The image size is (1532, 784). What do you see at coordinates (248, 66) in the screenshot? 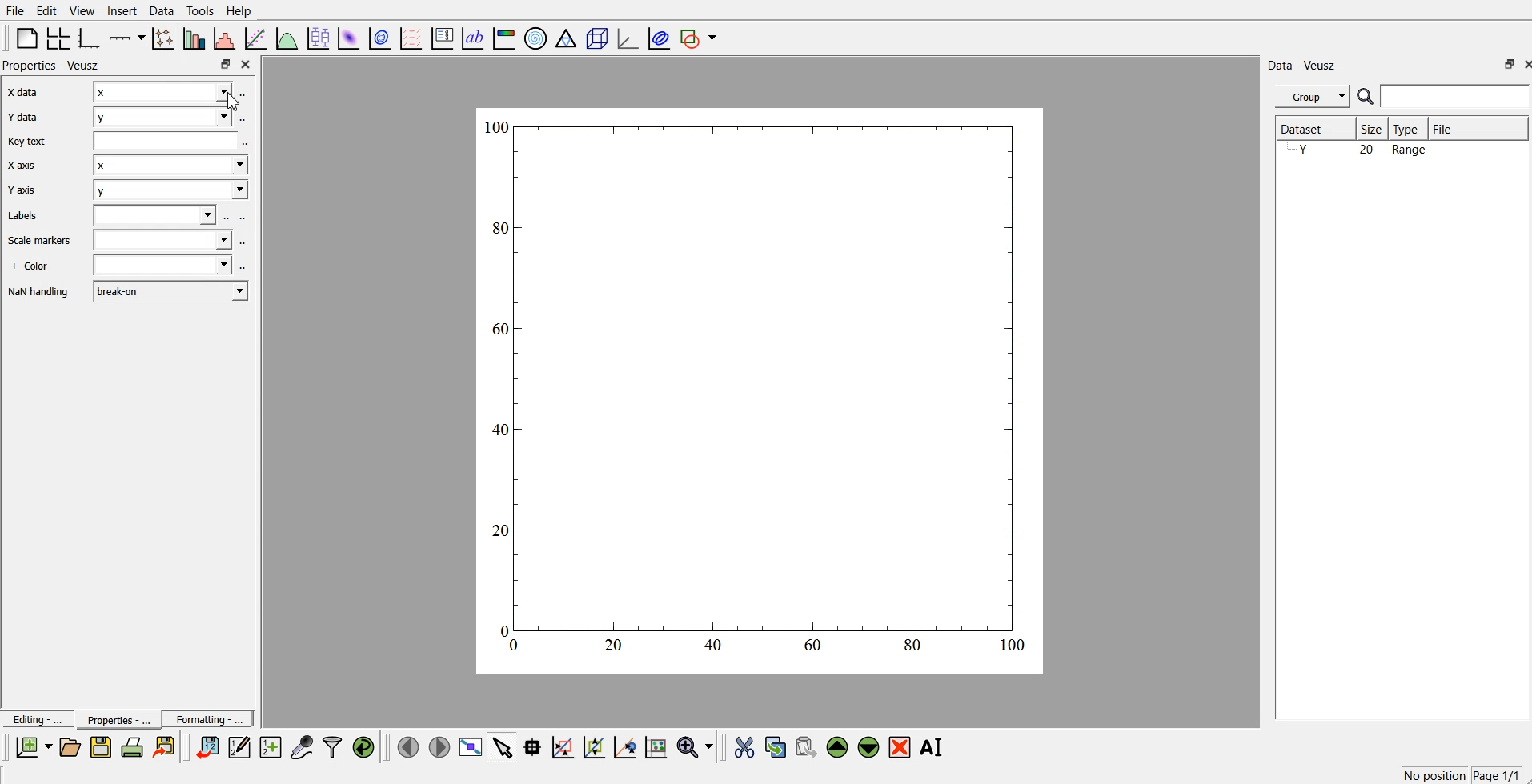
I see `Close` at bounding box center [248, 66].